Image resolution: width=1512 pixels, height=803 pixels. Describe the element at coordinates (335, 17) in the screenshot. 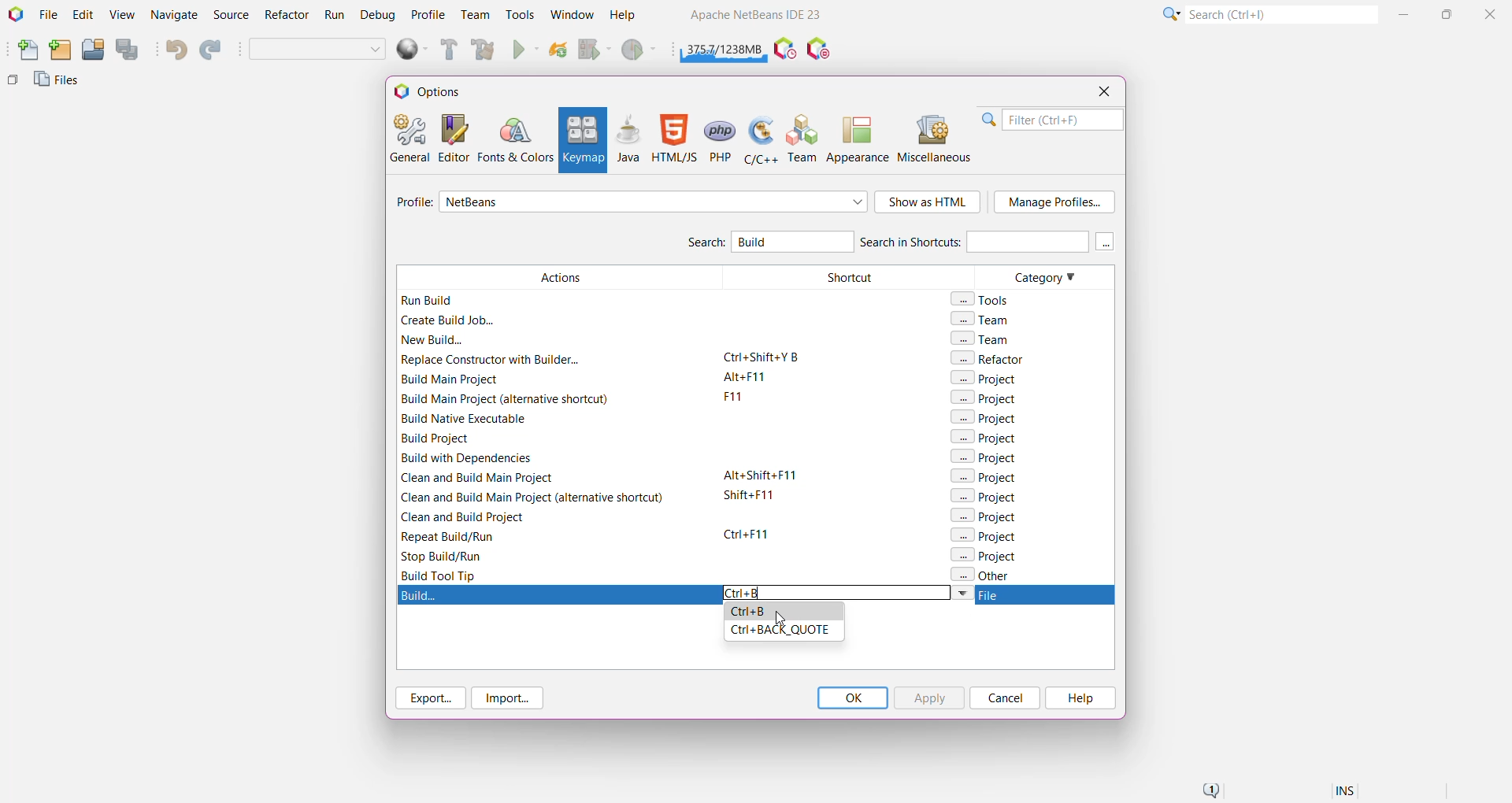

I see `Run` at that location.